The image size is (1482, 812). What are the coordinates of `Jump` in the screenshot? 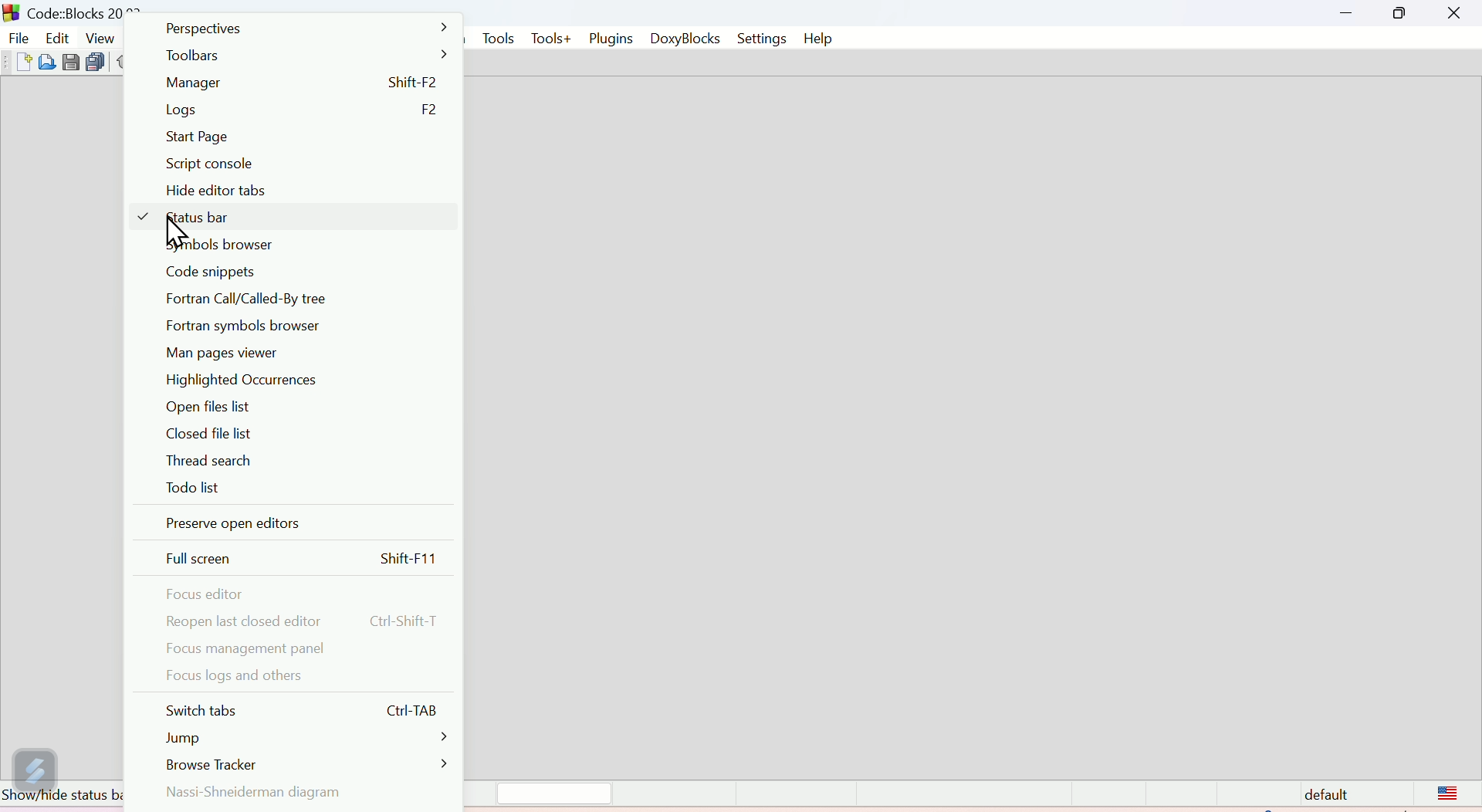 It's located at (308, 737).